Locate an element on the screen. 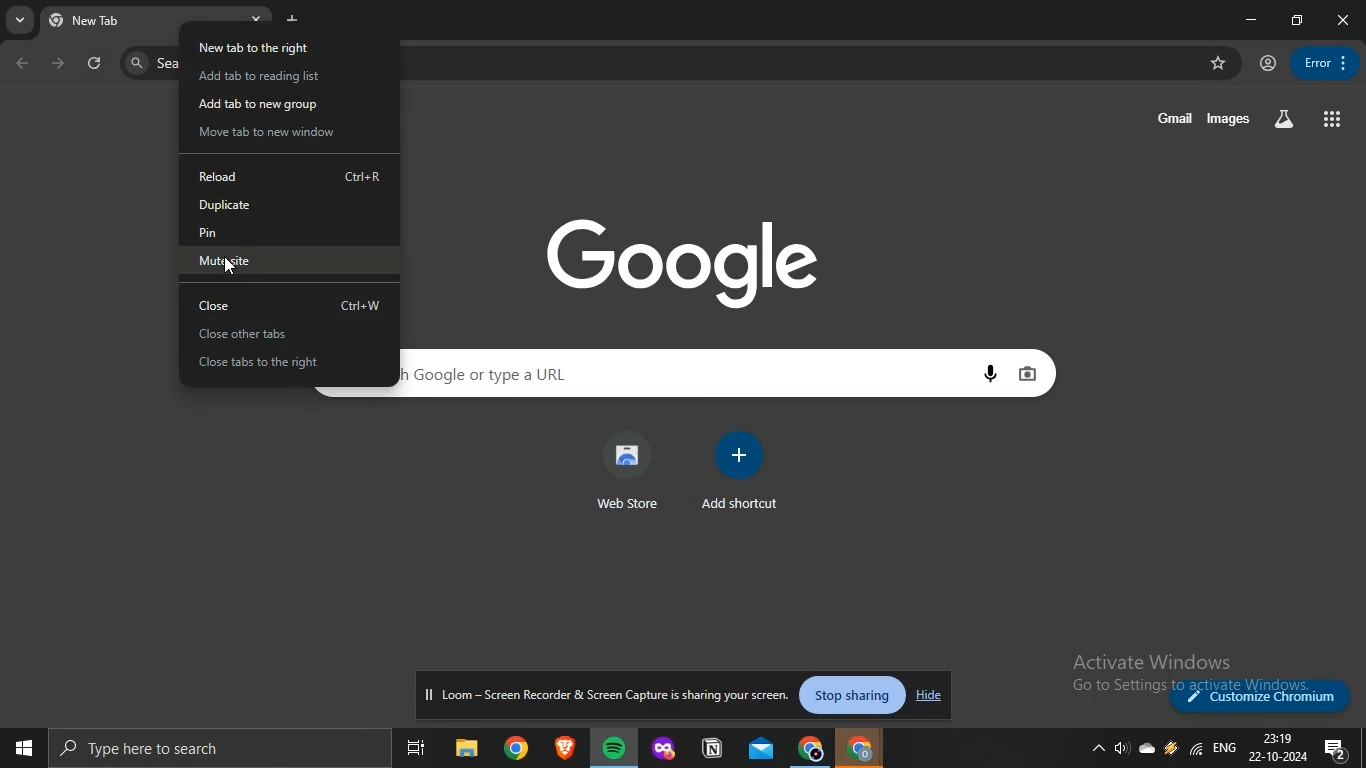  google chrome is located at coordinates (862, 749).